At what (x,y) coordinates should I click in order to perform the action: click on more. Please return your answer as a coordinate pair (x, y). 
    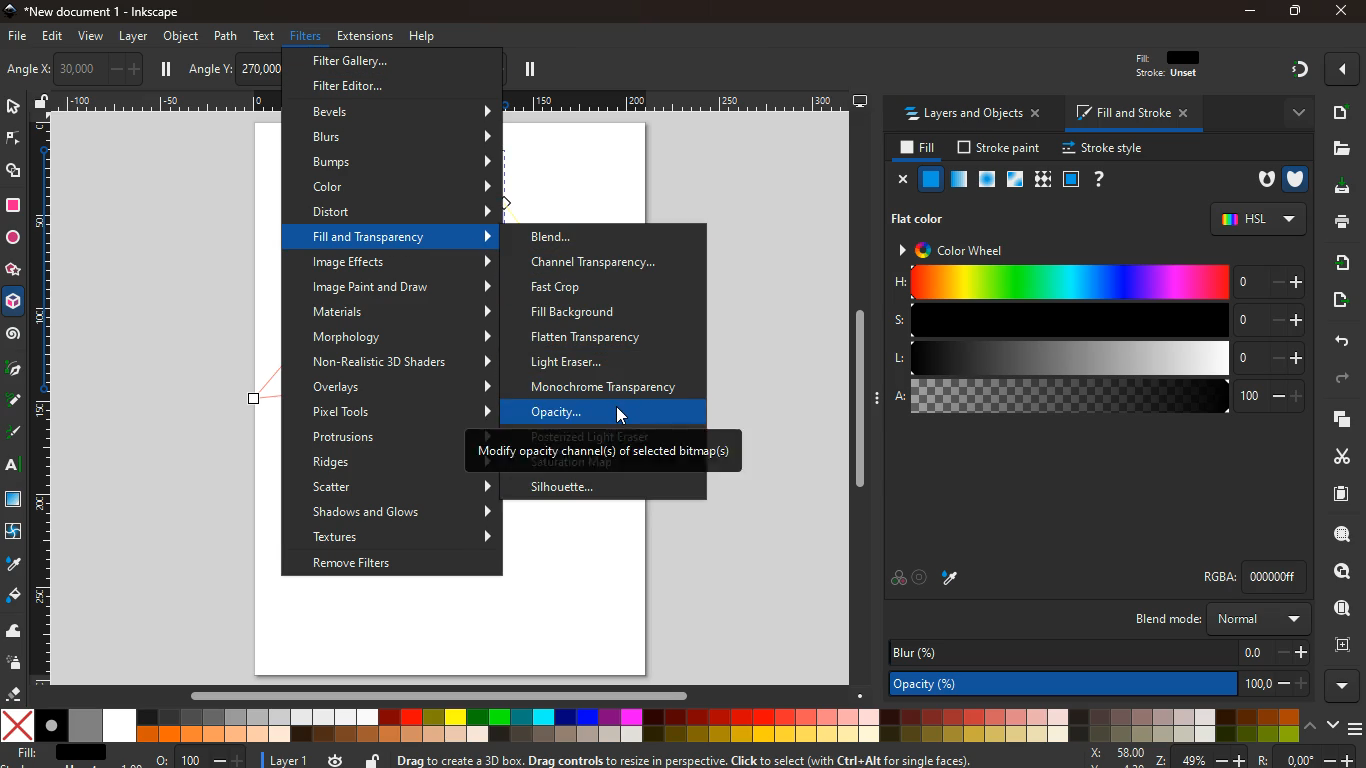
    Looking at the image, I should click on (1293, 112).